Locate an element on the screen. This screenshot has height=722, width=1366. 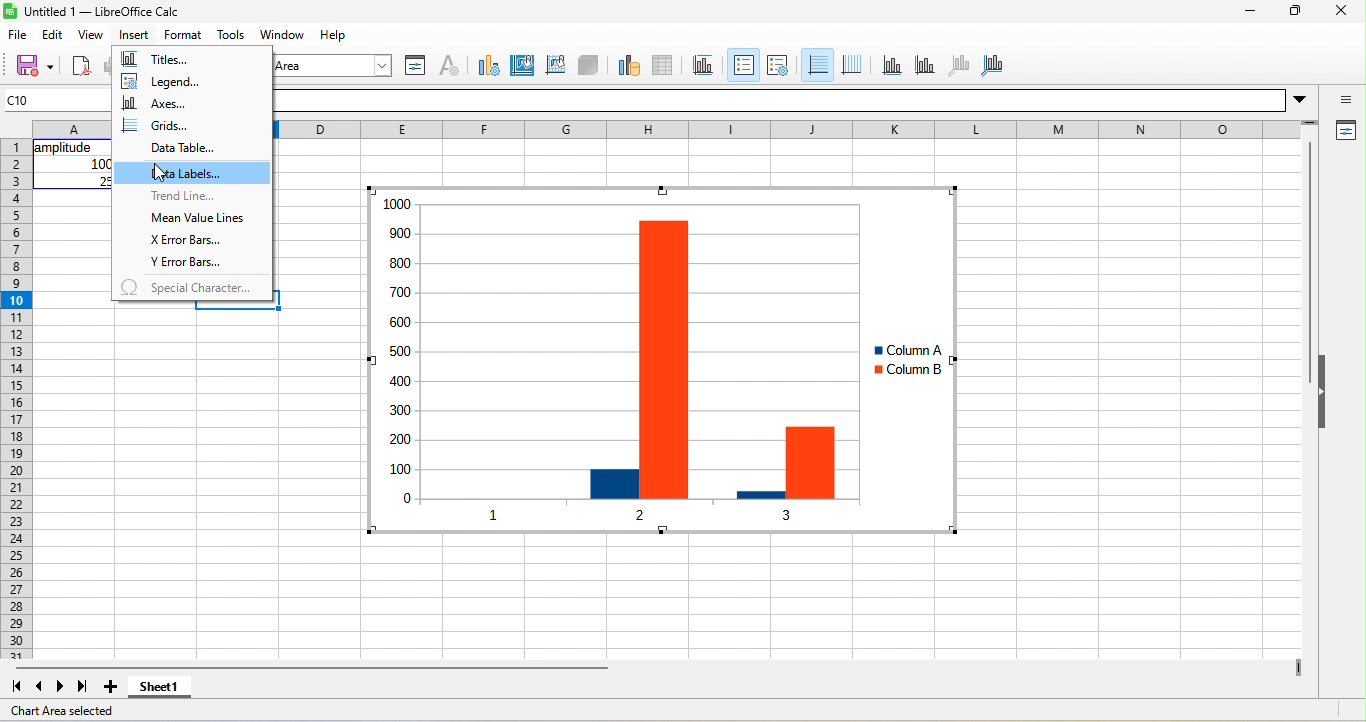
special character is located at coordinates (190, 287).